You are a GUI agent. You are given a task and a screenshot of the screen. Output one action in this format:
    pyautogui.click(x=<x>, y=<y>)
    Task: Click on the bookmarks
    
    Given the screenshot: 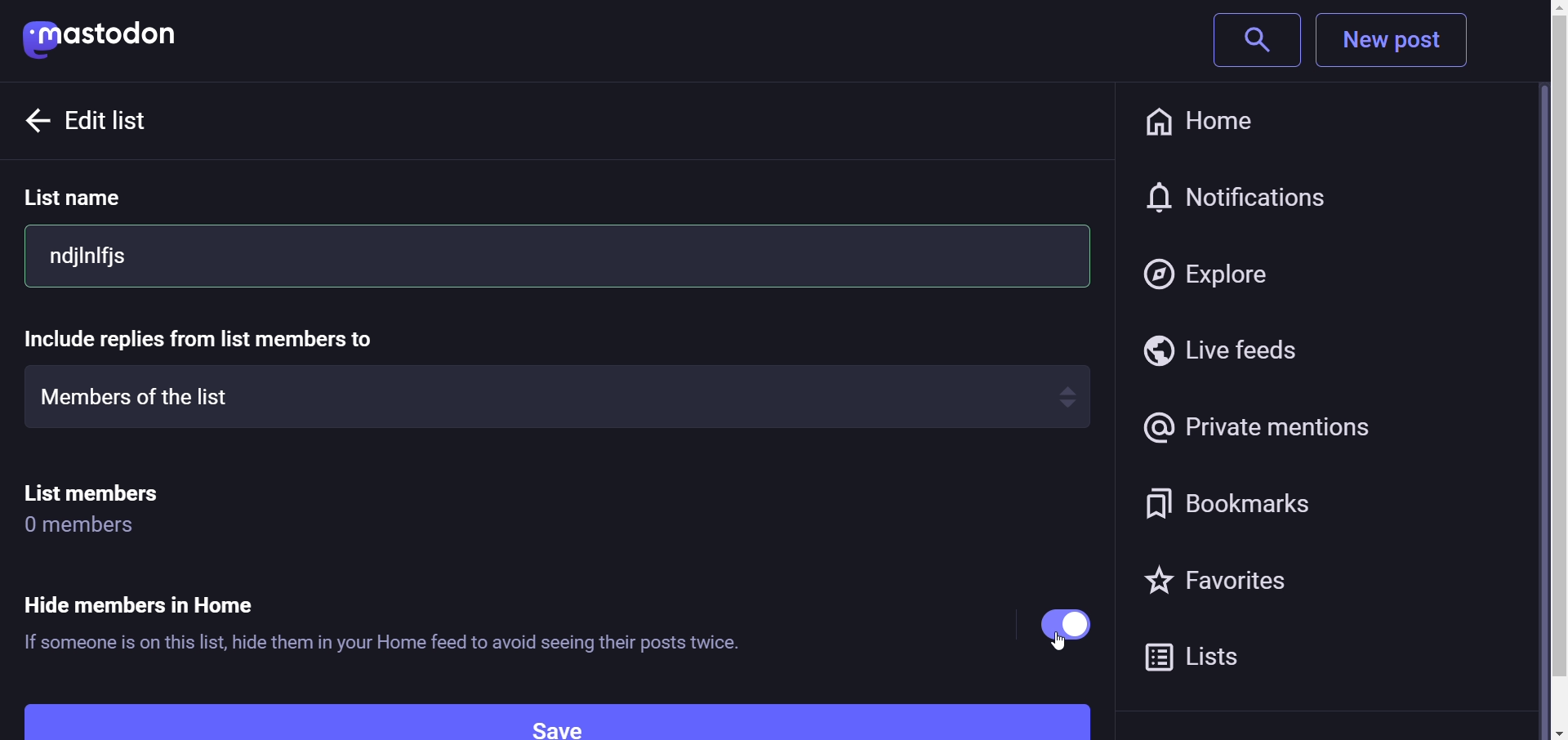 What is the action you would take?
    pyautogui.click(x=1218, y=506)
    